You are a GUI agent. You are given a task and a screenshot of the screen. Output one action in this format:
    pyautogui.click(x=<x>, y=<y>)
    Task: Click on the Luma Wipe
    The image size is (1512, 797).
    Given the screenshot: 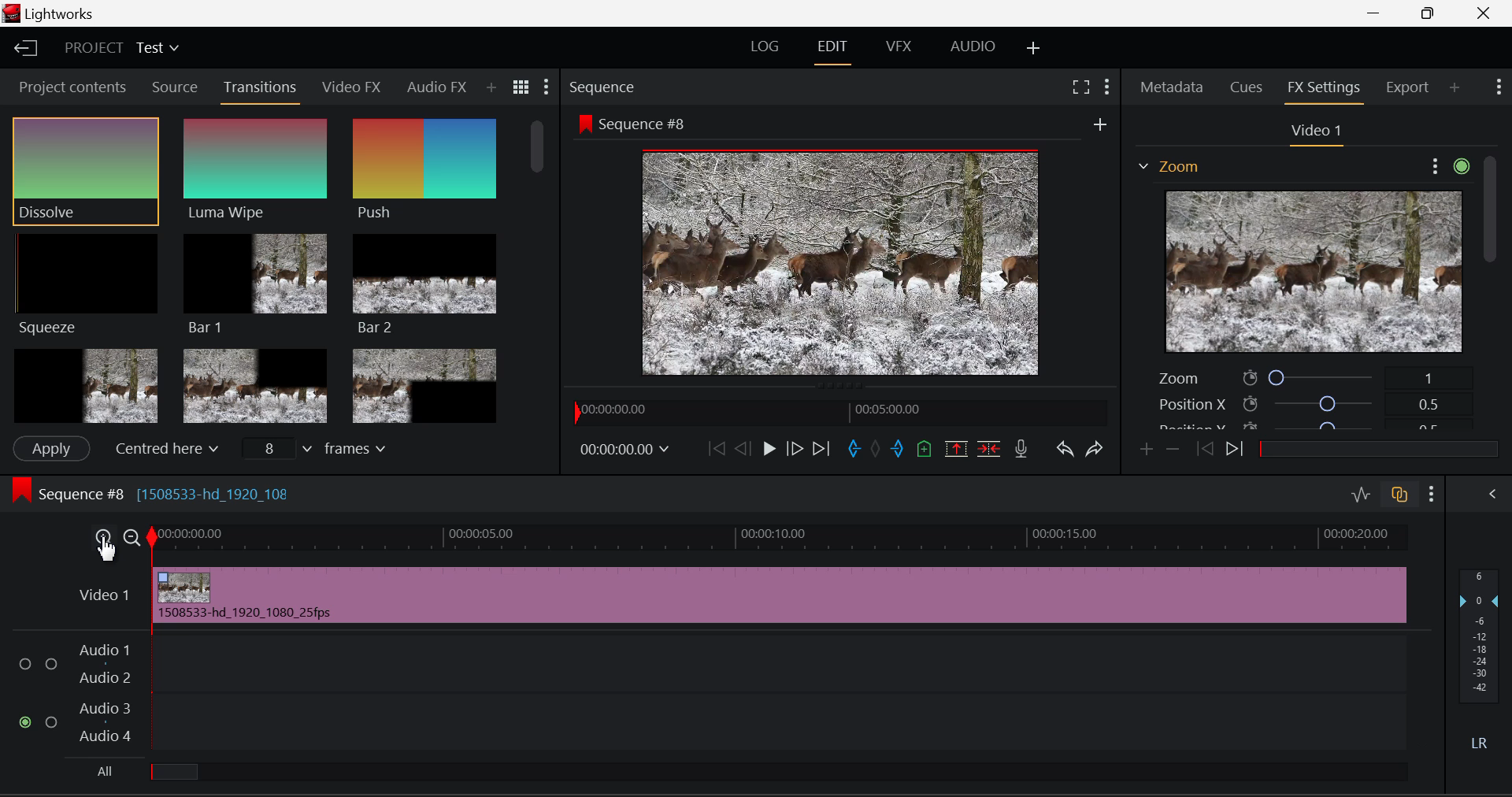 What is the action you would take?
    pyautogui.click(x=254, y=169)
    